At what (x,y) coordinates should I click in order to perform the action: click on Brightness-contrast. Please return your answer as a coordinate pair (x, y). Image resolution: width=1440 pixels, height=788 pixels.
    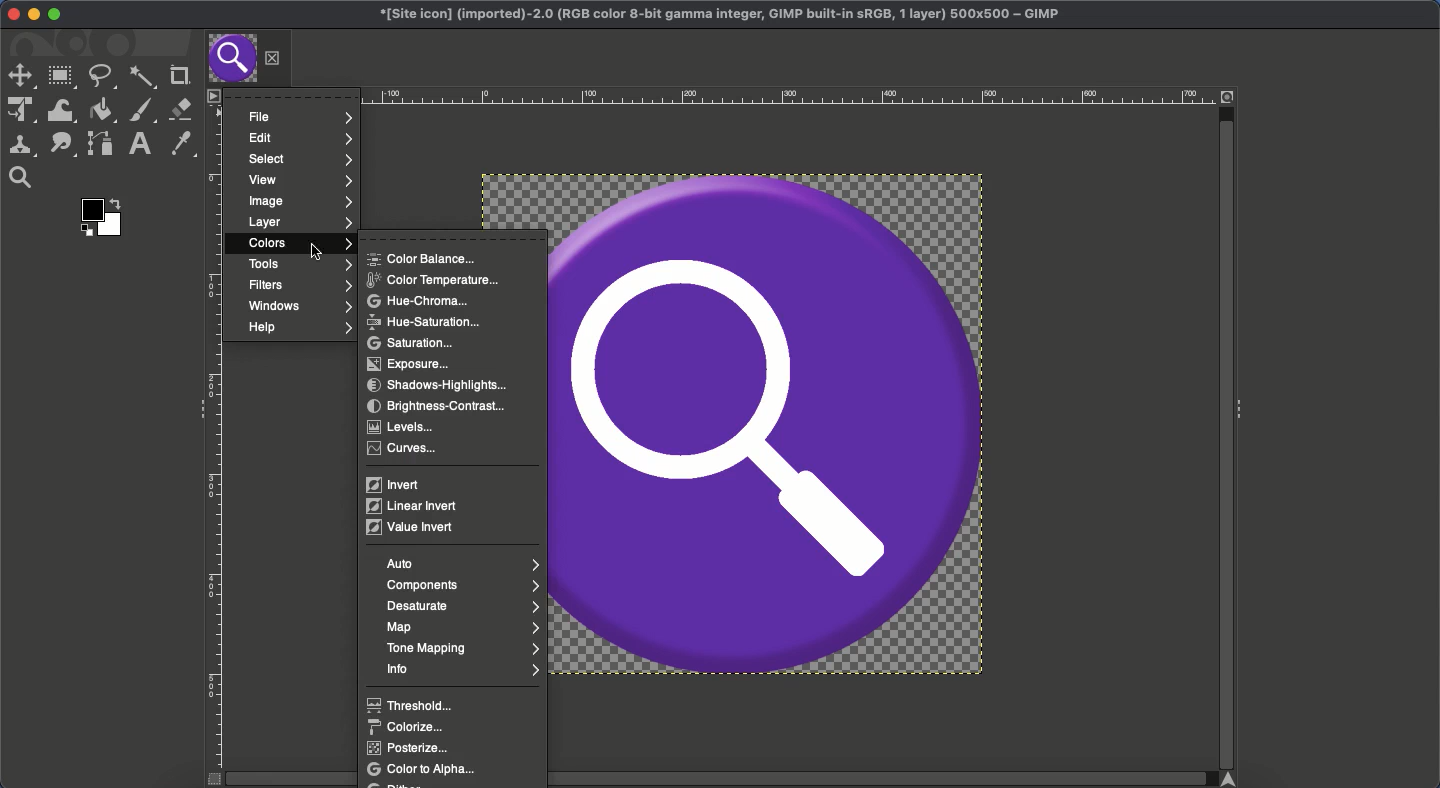
    Looking at the image, I should click on (441, 406).